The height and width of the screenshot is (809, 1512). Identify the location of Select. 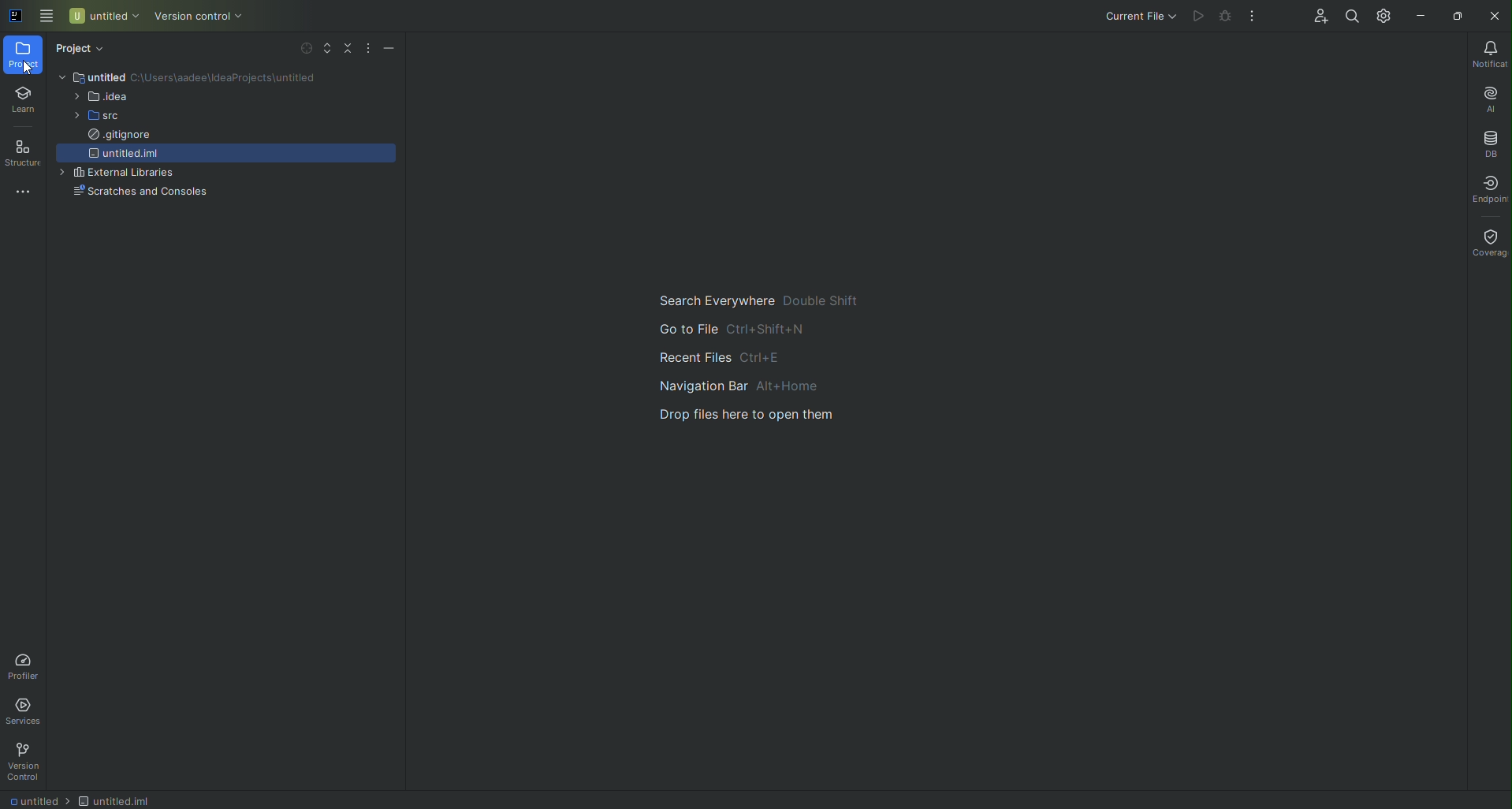
(299, 50).